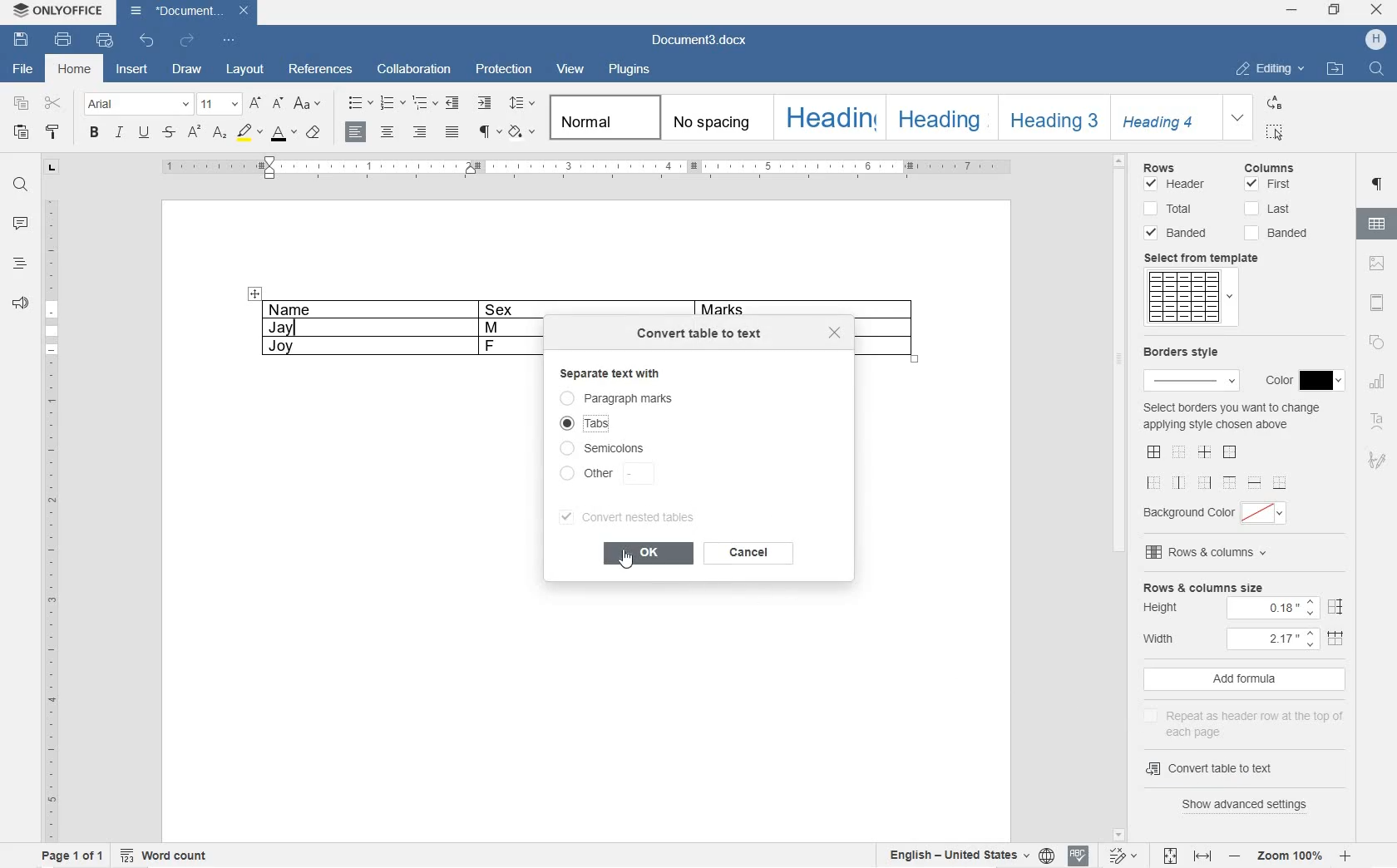 The width and height of the screenshot is (1397, 868). I want to click on IMAGE , so click(1375, 264).